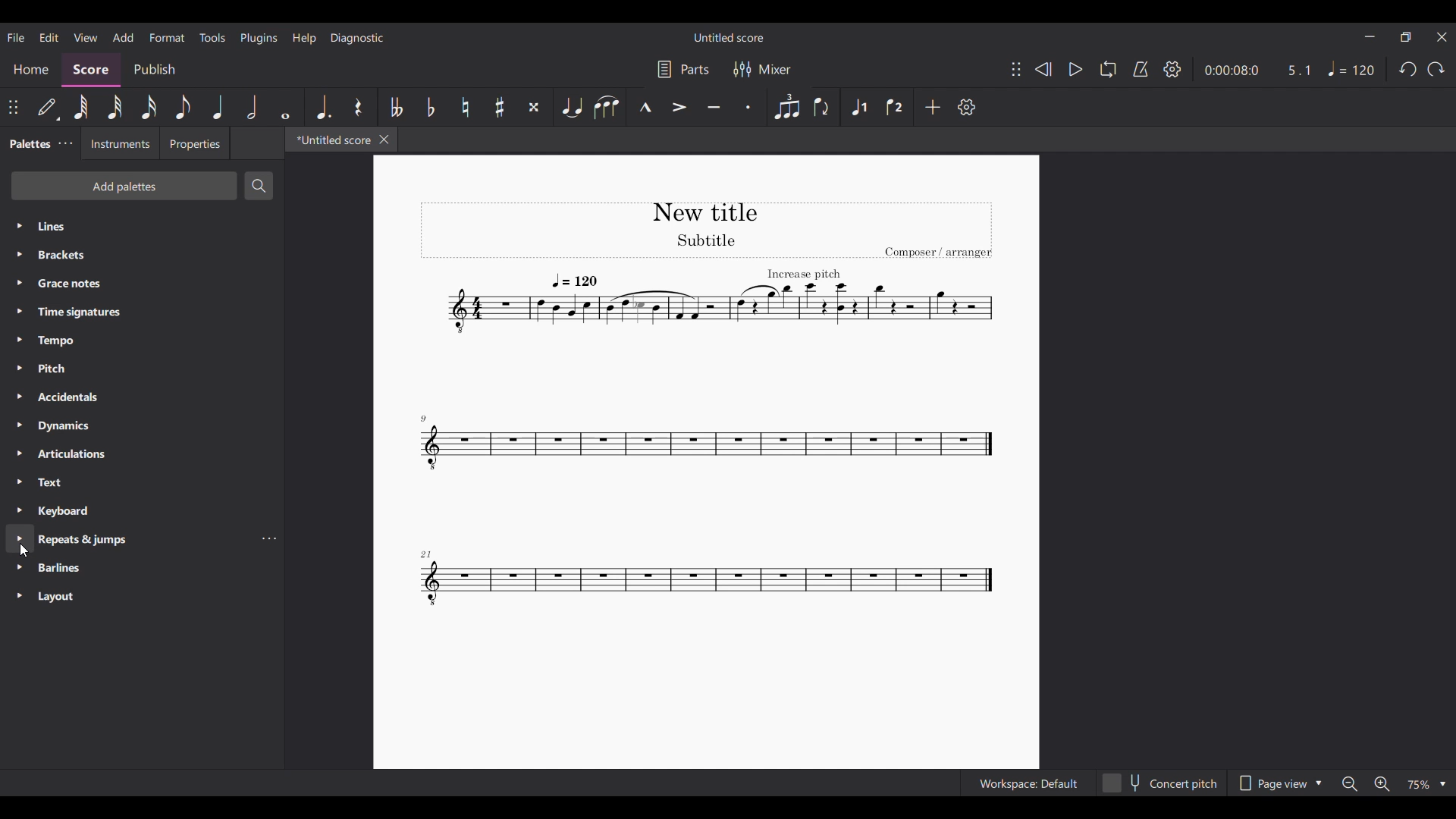 The height and width of the screenshot is (819, 1456). Describe the element at coordinates (142, 283) in the screenshot. I see `Grace notes` at that location.